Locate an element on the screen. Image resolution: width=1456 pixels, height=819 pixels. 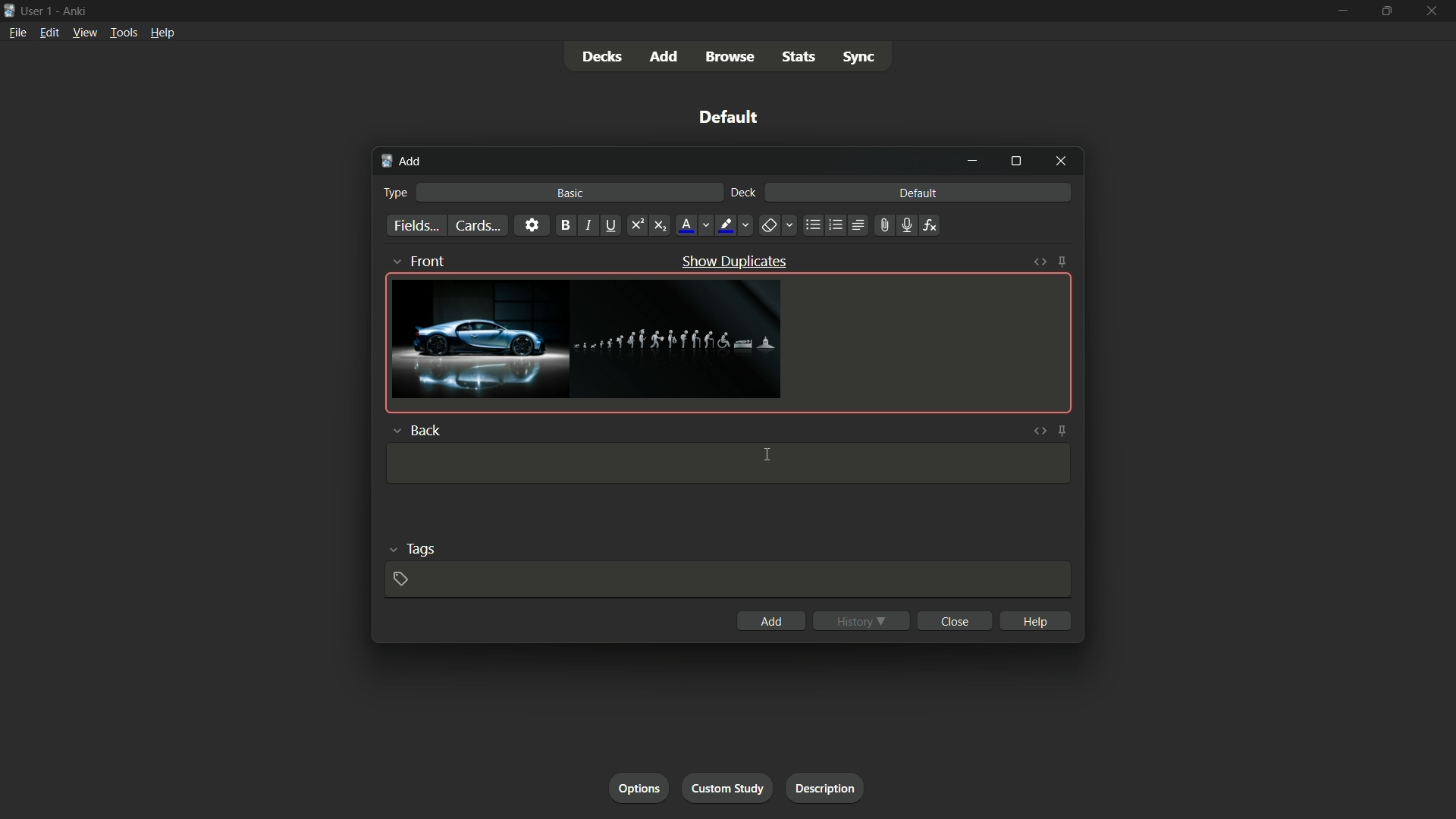
text highlight is located at coordinates (733, 225).